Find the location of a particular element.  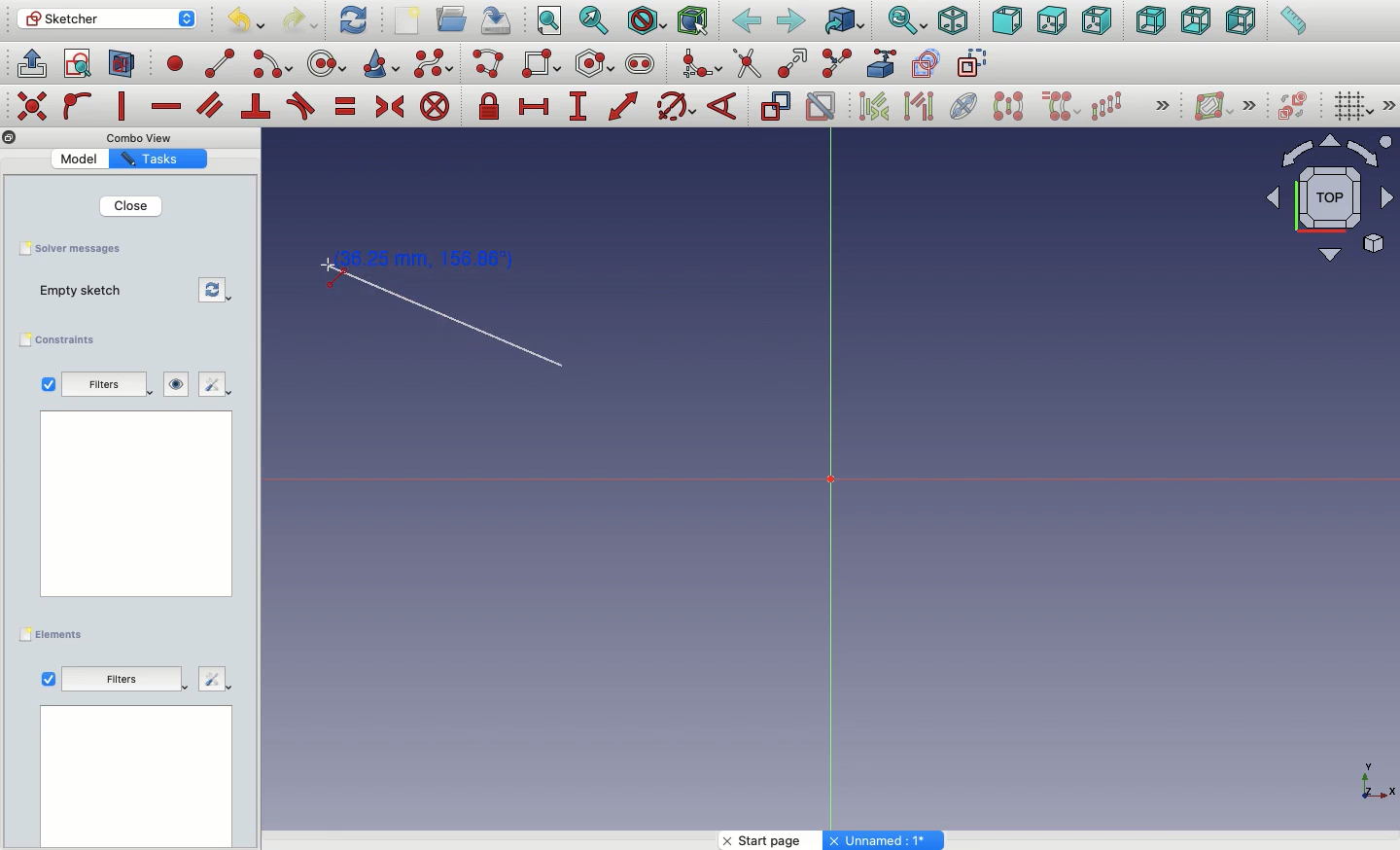

Symmetry is located at coordinates (1007, 106).